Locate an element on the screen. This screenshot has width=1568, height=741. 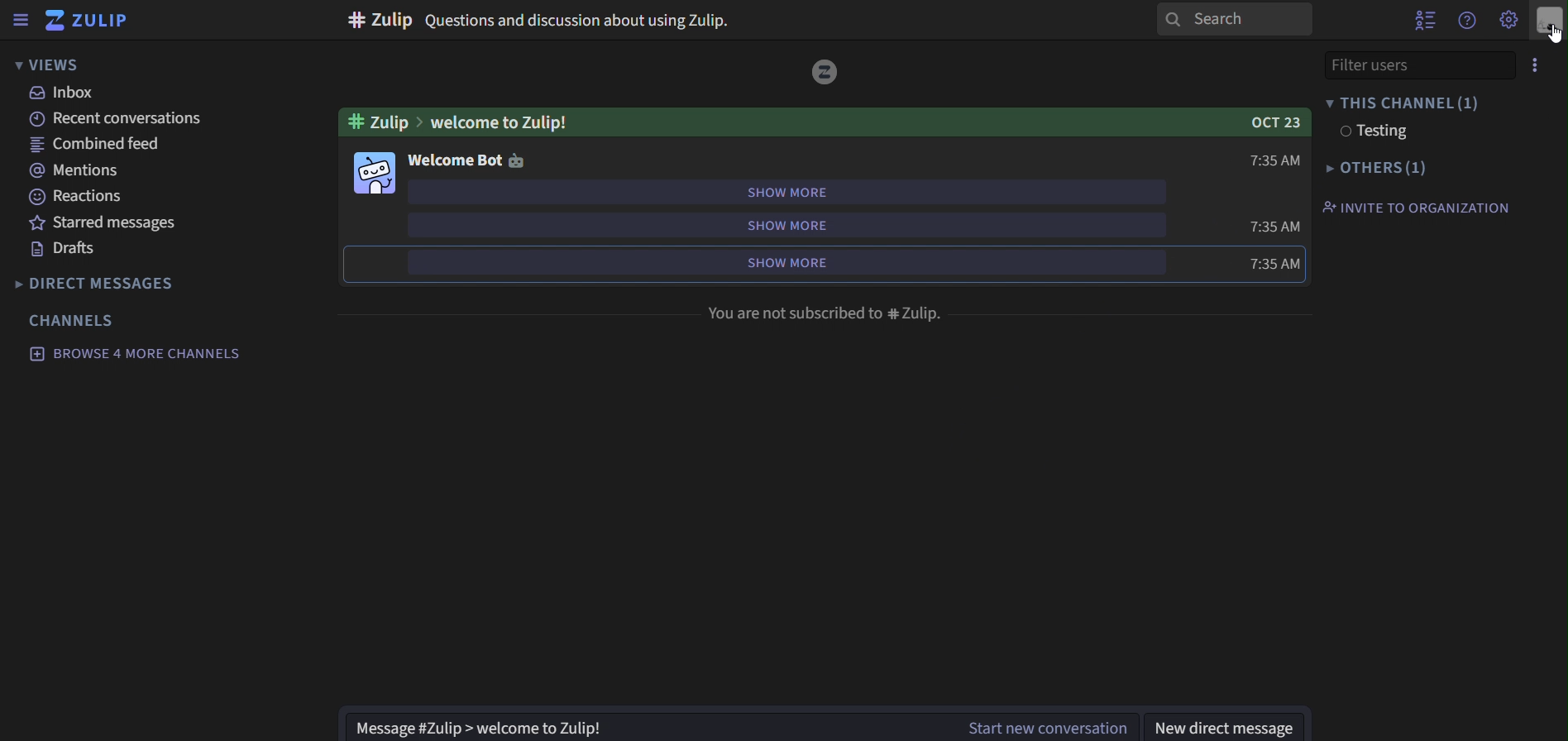
emoji is located at coordinates (521, 160).